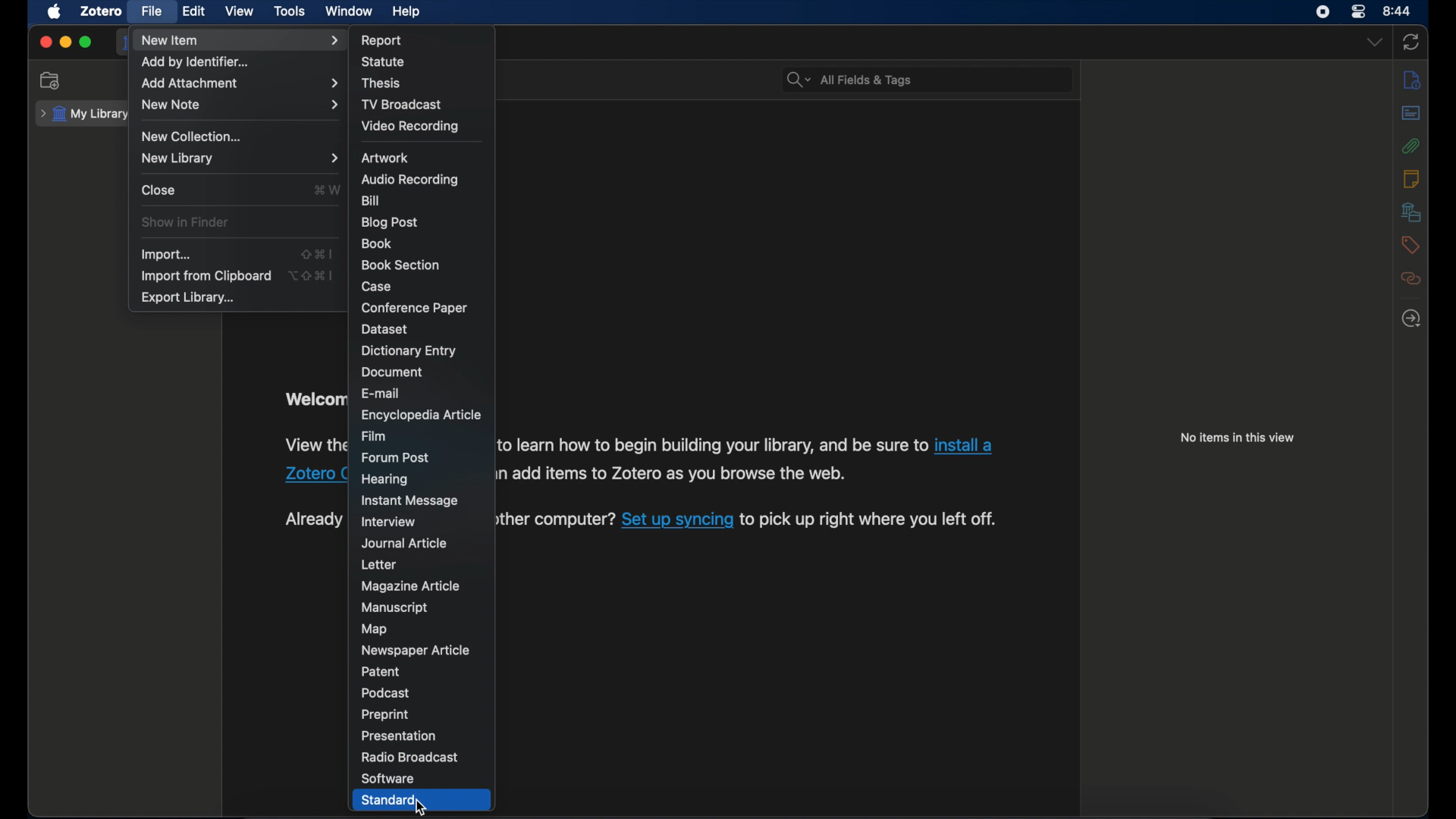 This screenshot has width=1456, height=819. What do you see at coordinates (1410, 319) in the screenshot?
I see `locate` at bounding box center [1410, 319].